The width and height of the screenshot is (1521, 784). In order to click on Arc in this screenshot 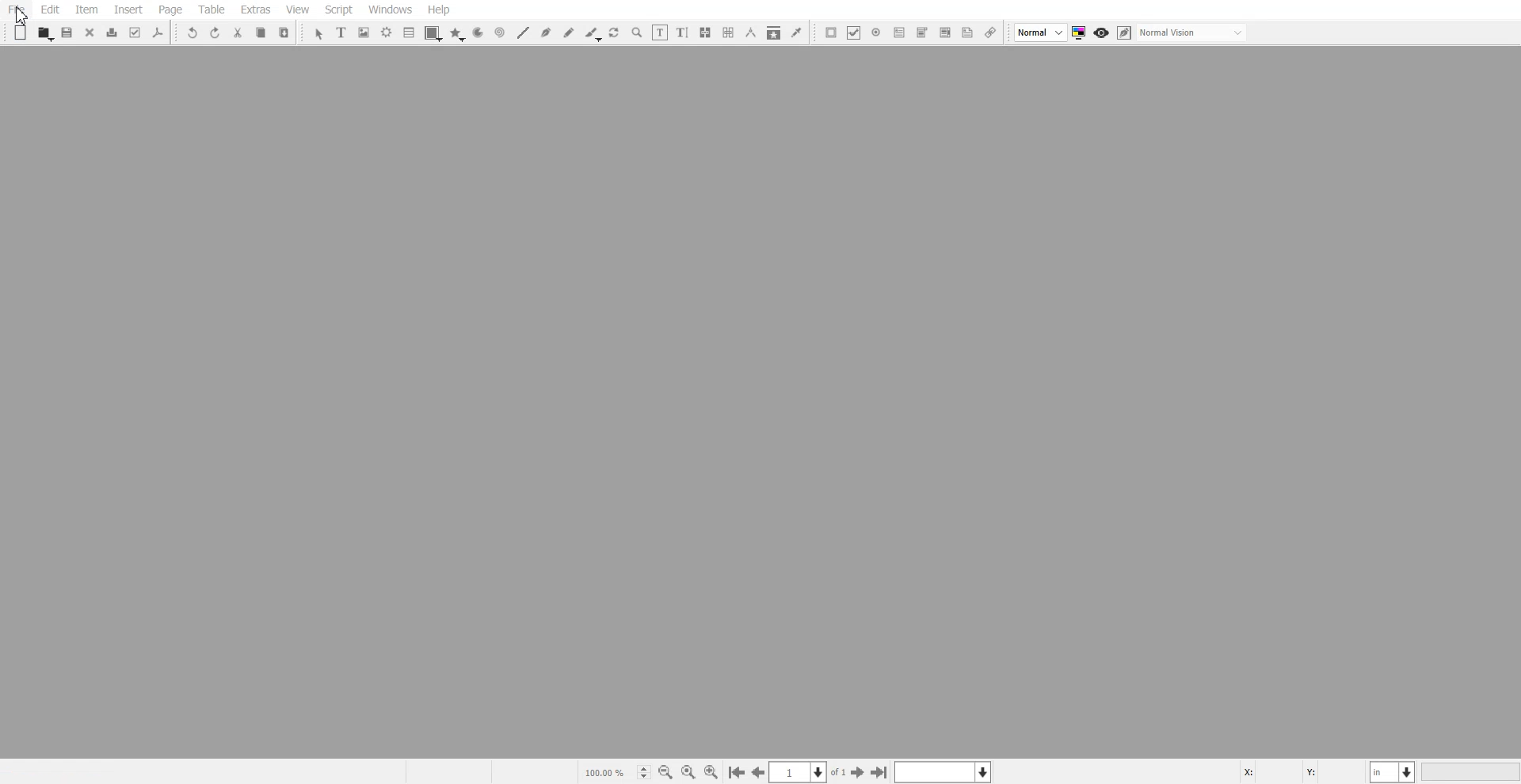, I will do `click(478, 33)`.